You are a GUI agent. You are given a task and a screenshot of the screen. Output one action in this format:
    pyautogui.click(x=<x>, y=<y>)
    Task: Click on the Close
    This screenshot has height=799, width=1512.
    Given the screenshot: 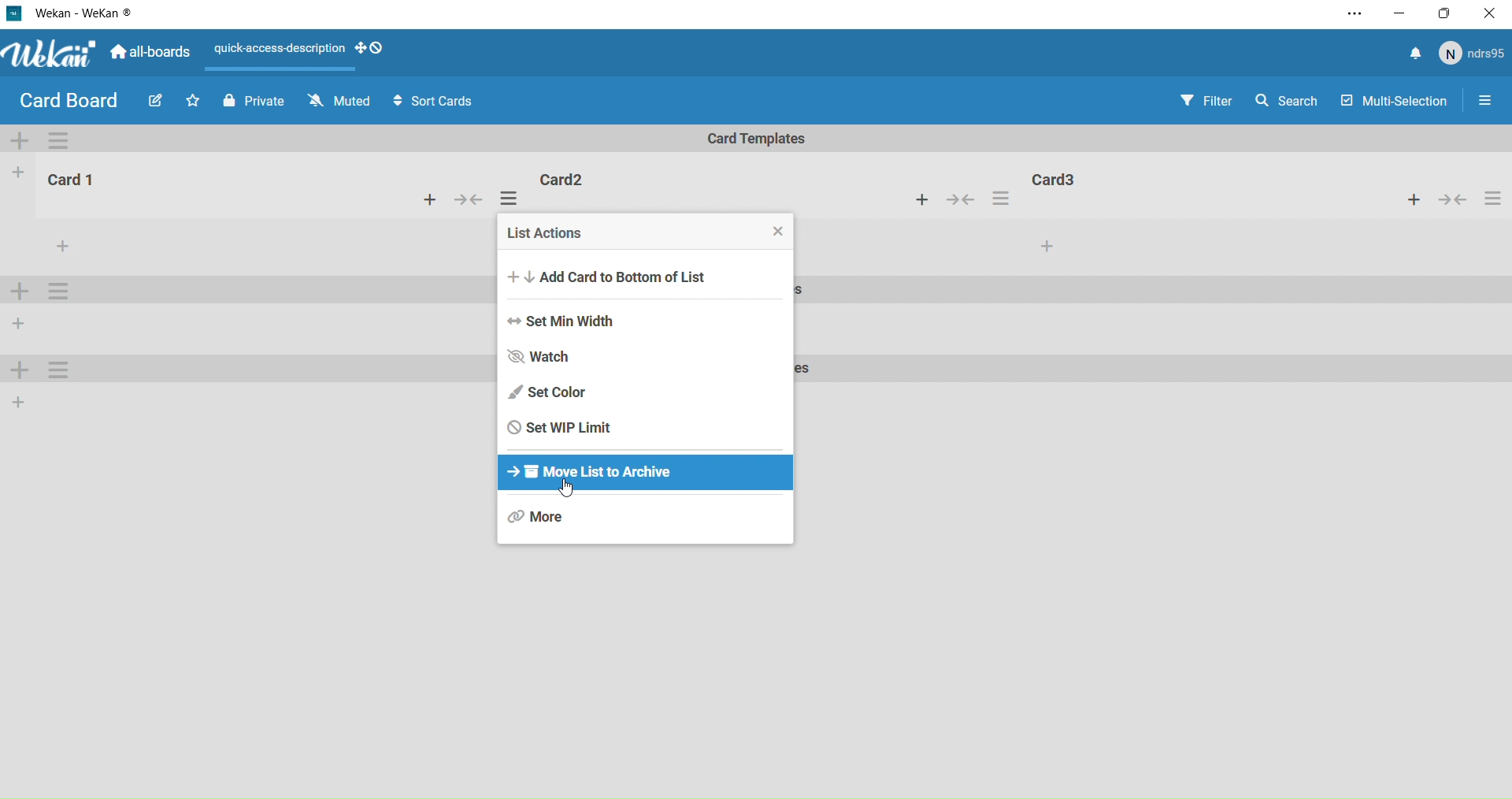 What is the action you would take?
    pyautogui.click(x=1492, y=12)
    